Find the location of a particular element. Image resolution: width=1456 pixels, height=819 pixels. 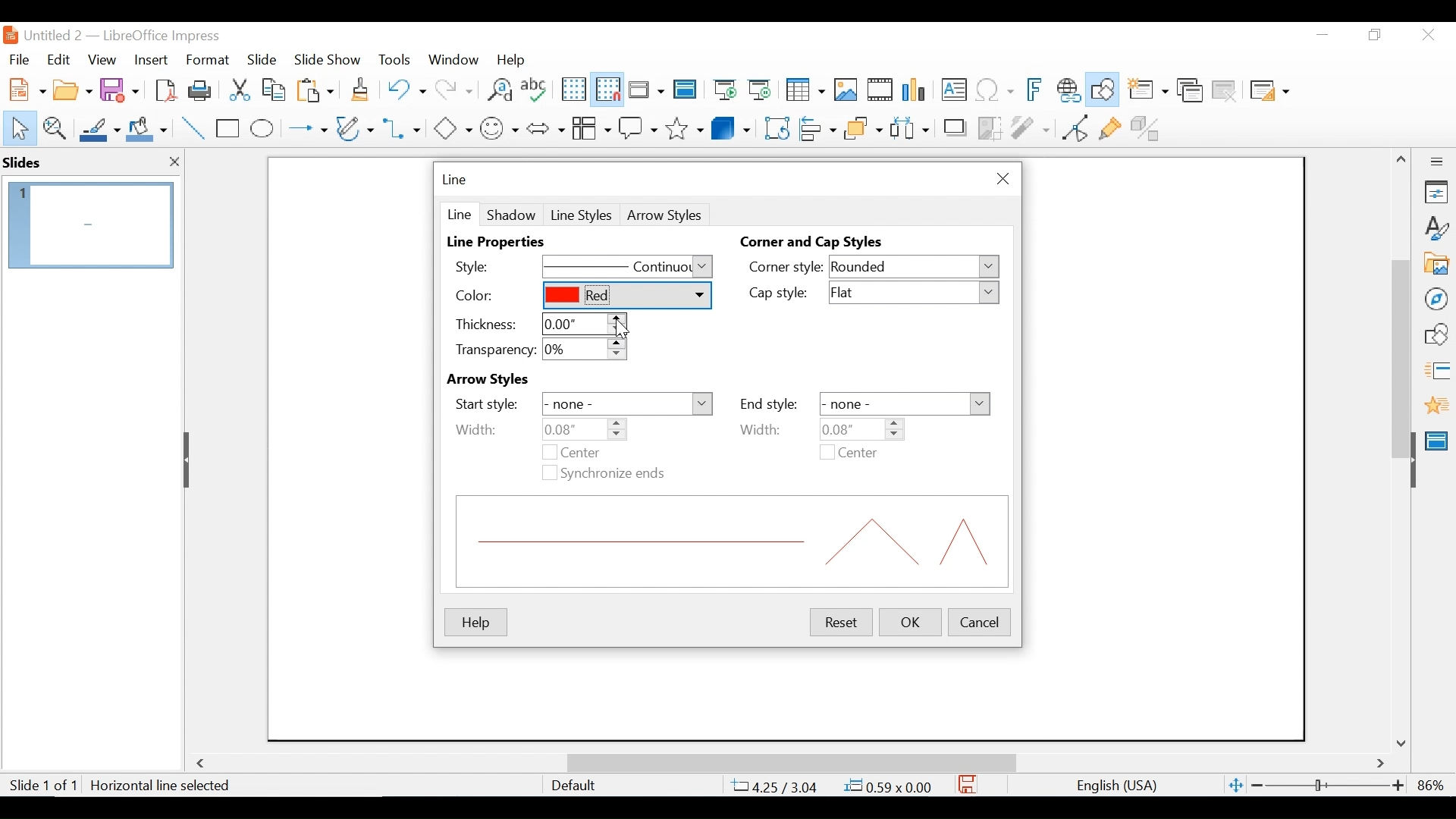

Clone Formatting is located at coordinates (362, 89).